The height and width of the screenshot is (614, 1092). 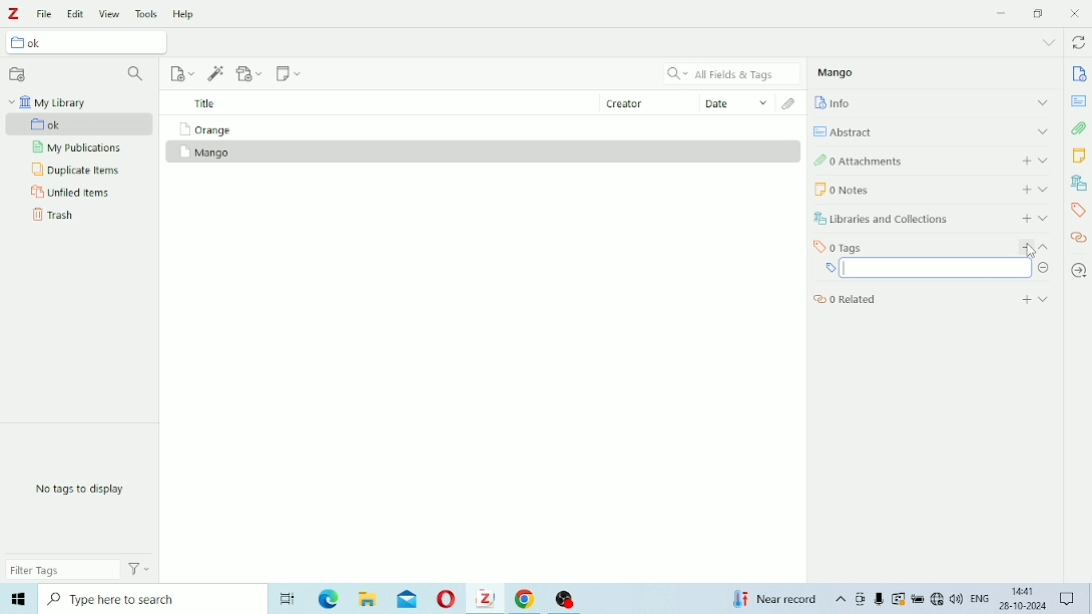 I want to click on Related, so click(x=1079, y=237).